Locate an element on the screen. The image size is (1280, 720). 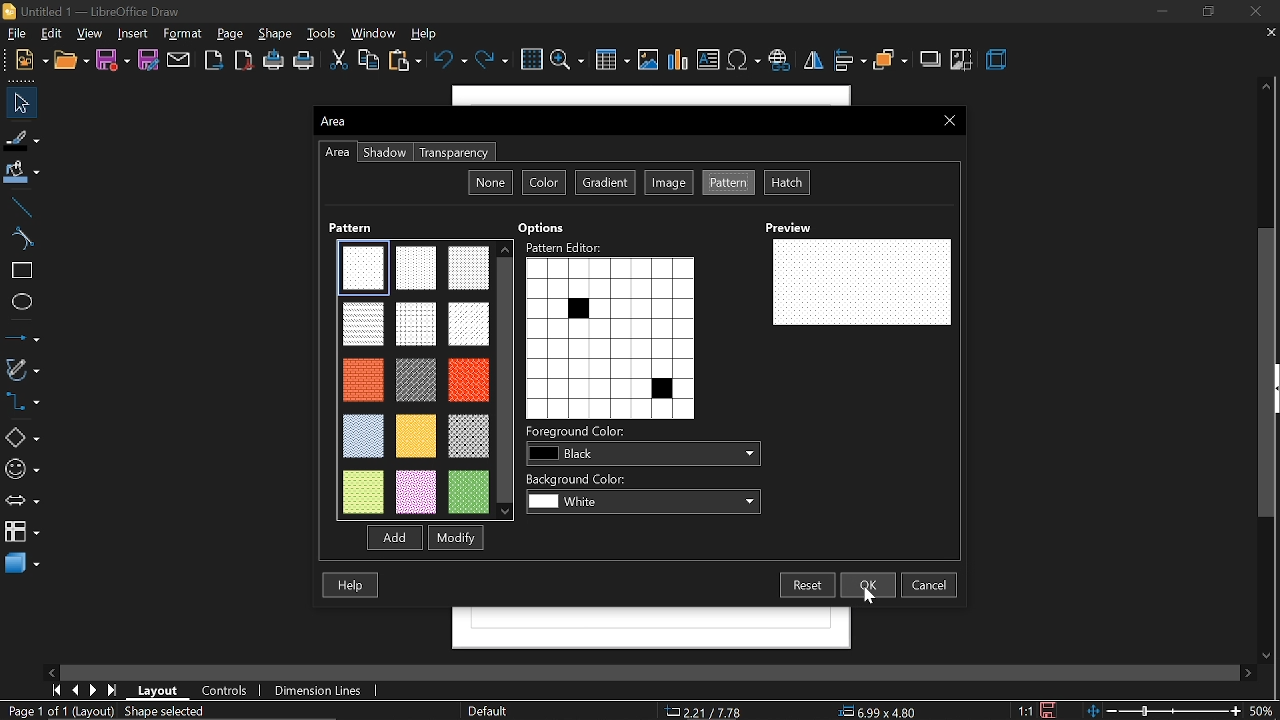
change zoom is located at coordinates (1164, 710).